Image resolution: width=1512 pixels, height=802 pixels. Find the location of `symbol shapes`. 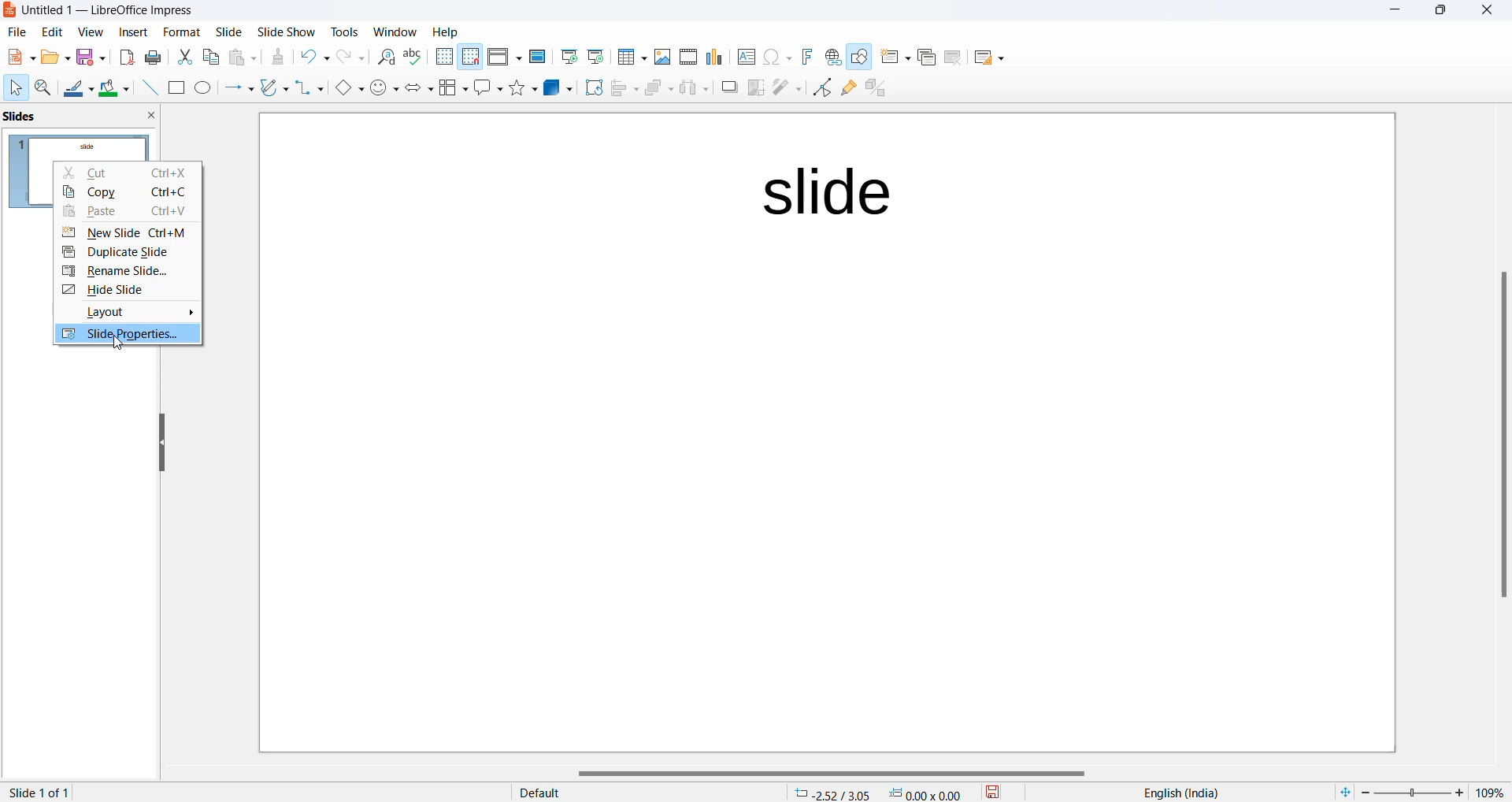

symbol shapes is located at coordinates (385, 89).